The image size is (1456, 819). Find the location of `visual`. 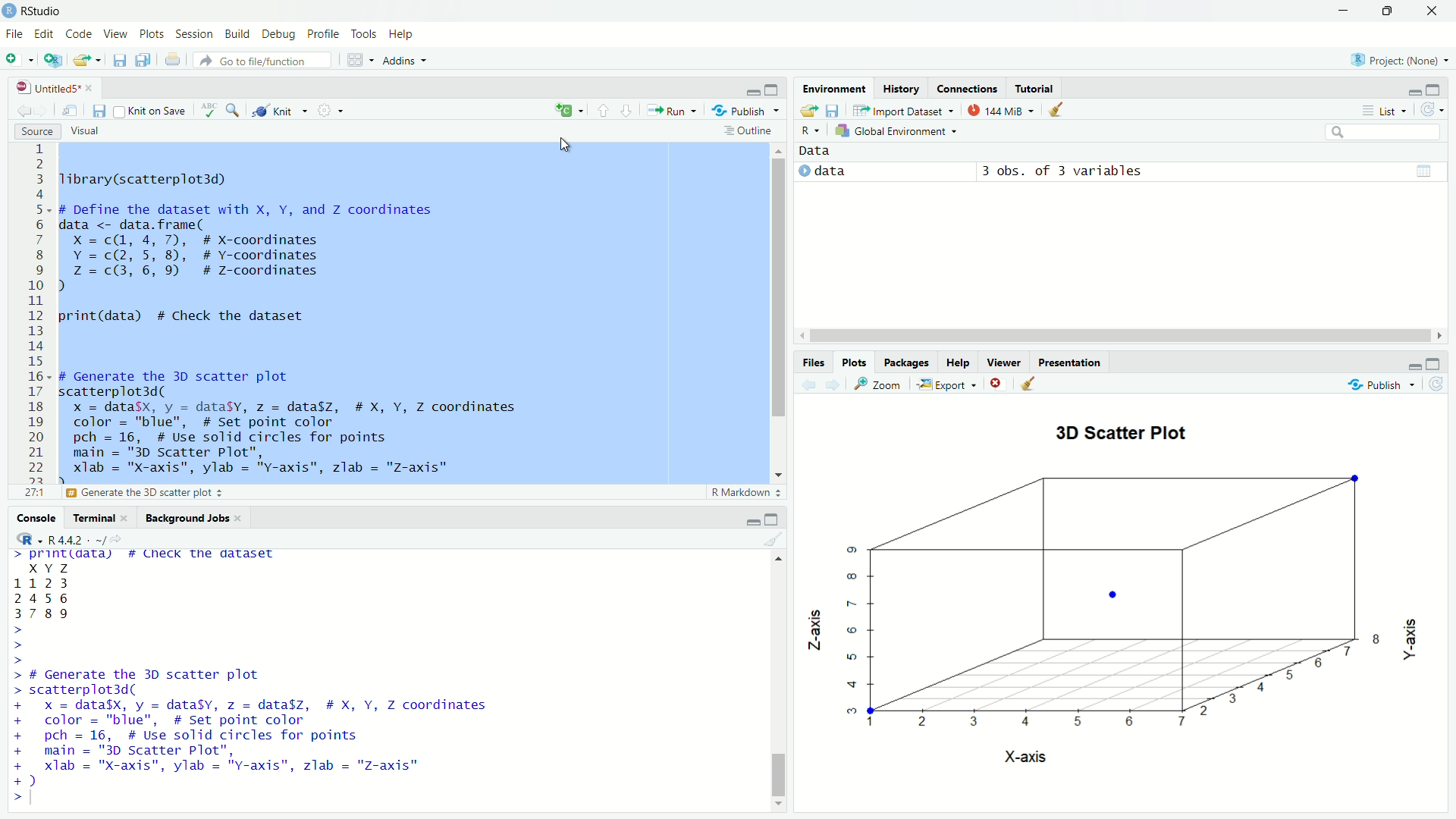

visual is located at coordinates (86, 132).